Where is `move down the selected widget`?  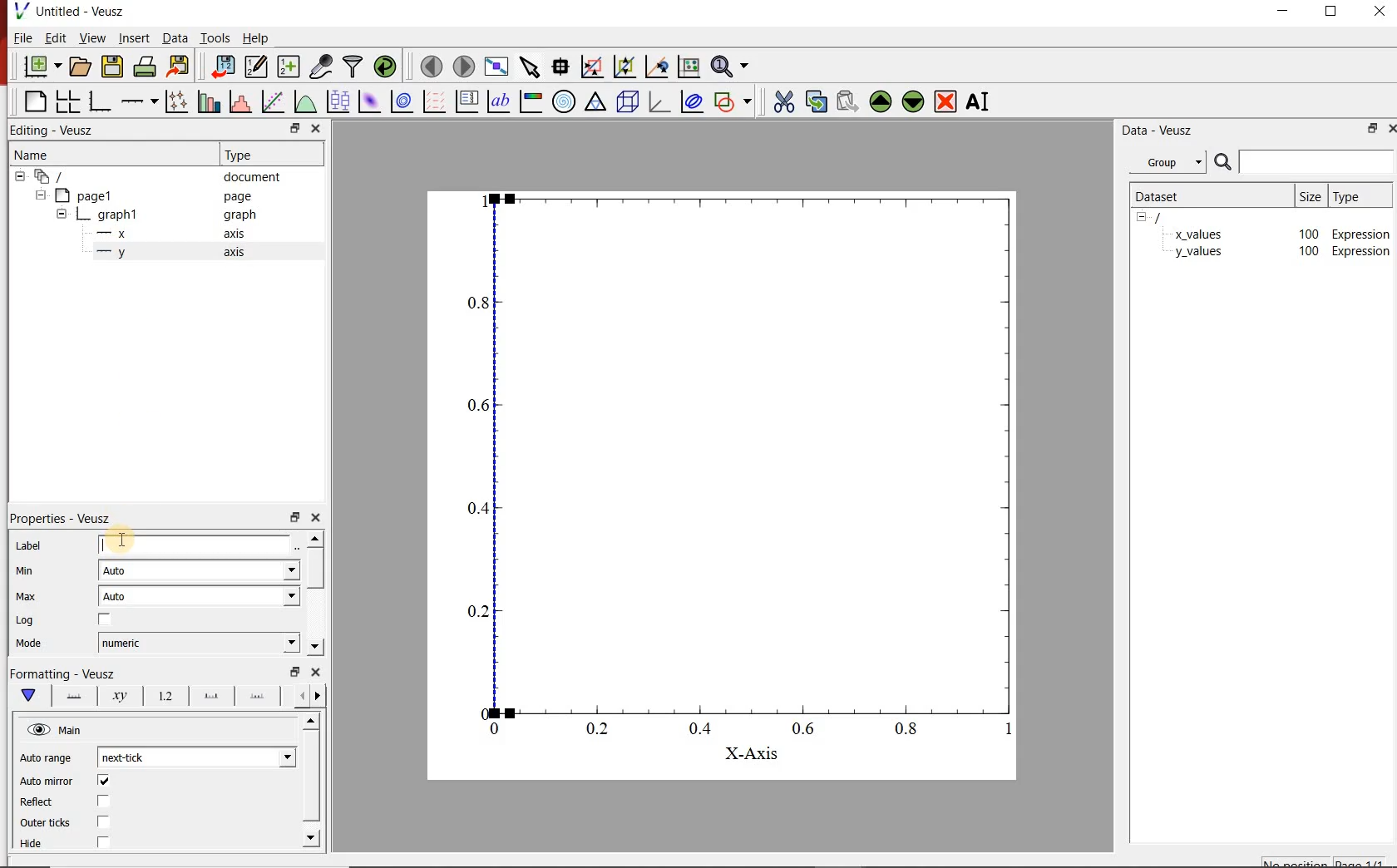
move down the selected widget is located at coordinates (913, 104).